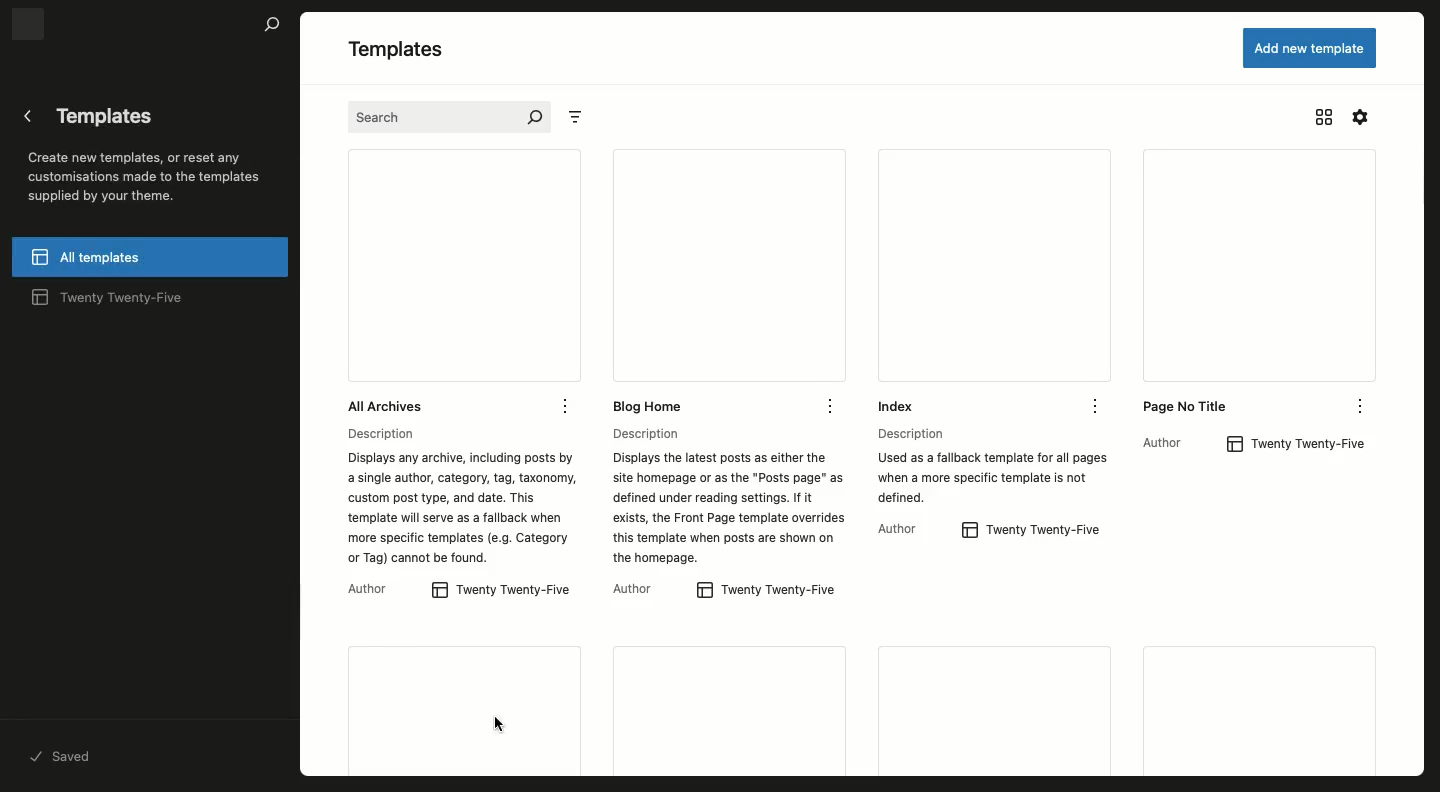 The image size is (1440, 792). I want to click on No title, so click(1193, 405).